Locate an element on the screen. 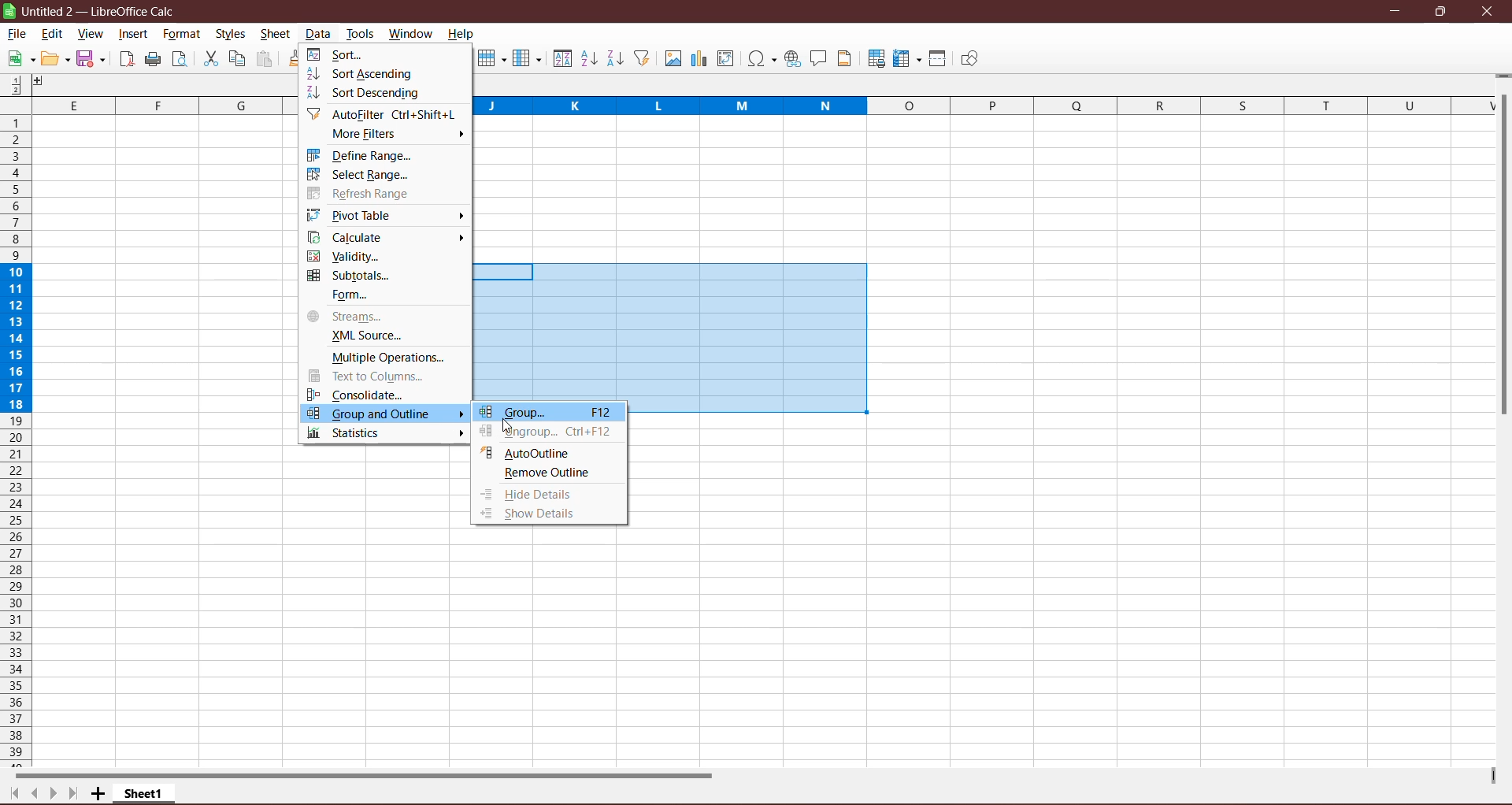 The height and width of the screenshot is (805, 1512). Group is located at coordinates (549, 413).